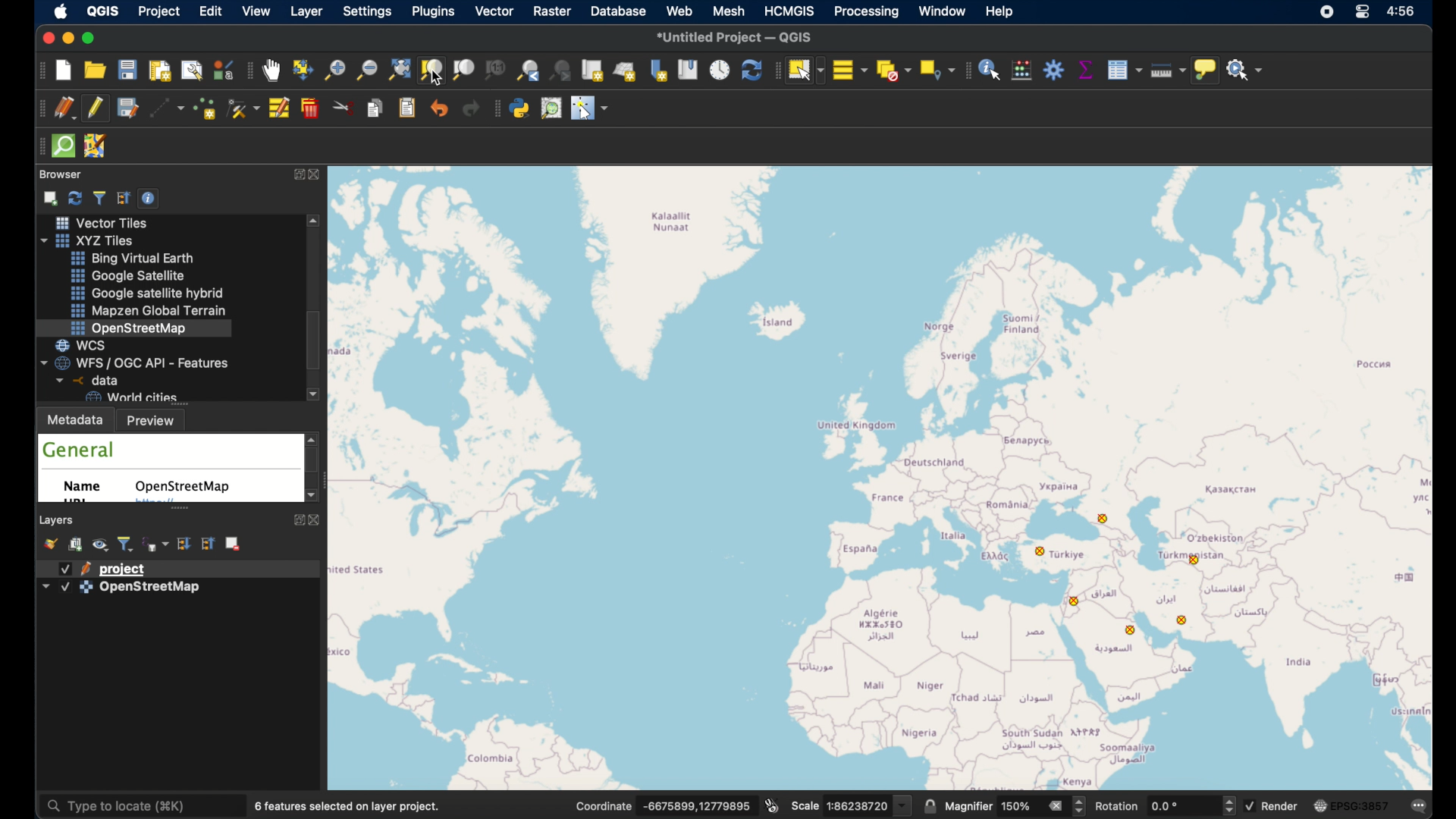  I want to click on point feature, so click(1182, 619).